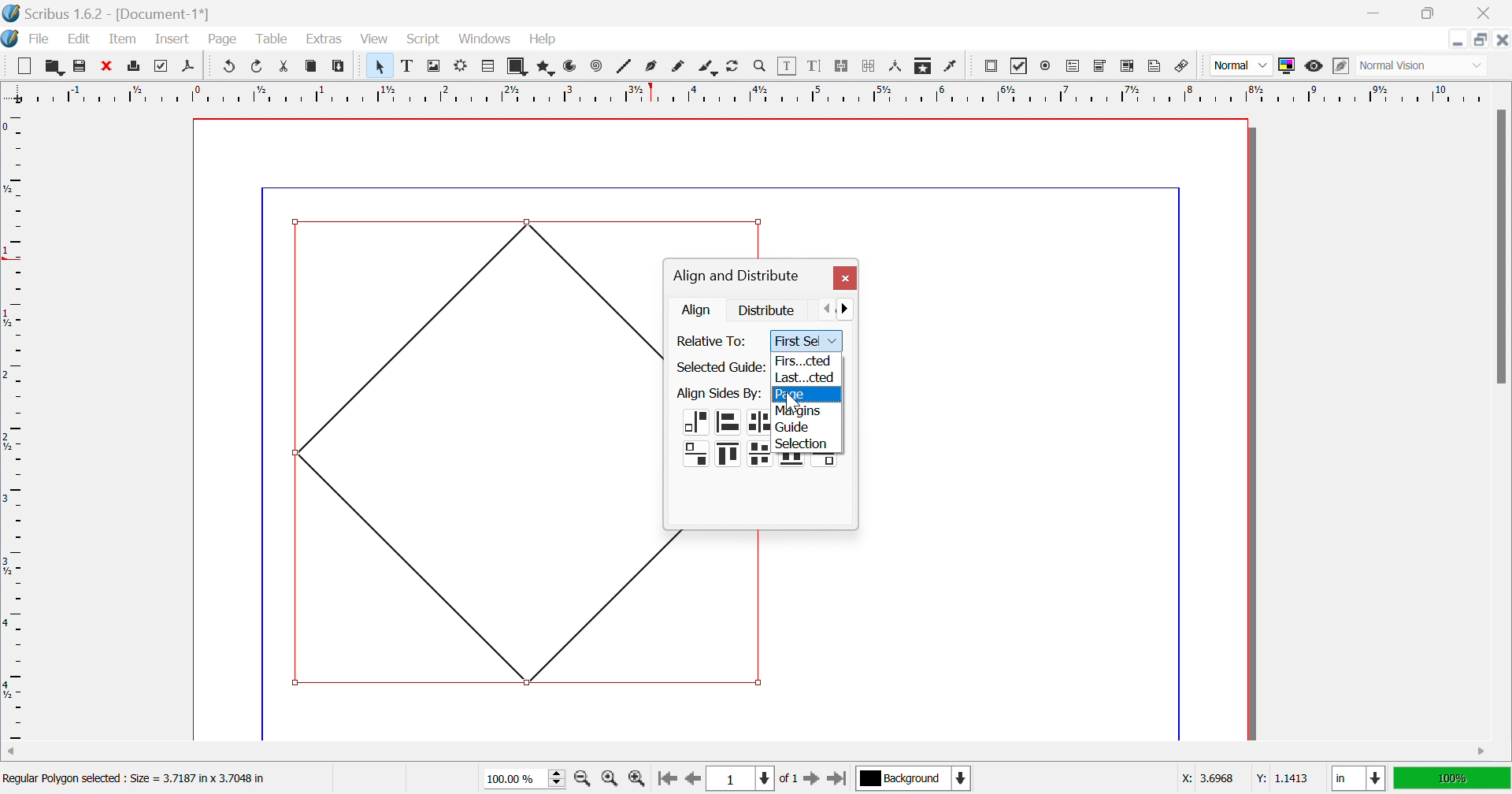 The height and width of the screenshot is (794, 1512). What do you see at coordinates (258, 65) in the screenshot?
I see `Redo` at bounding box center [258, 65].